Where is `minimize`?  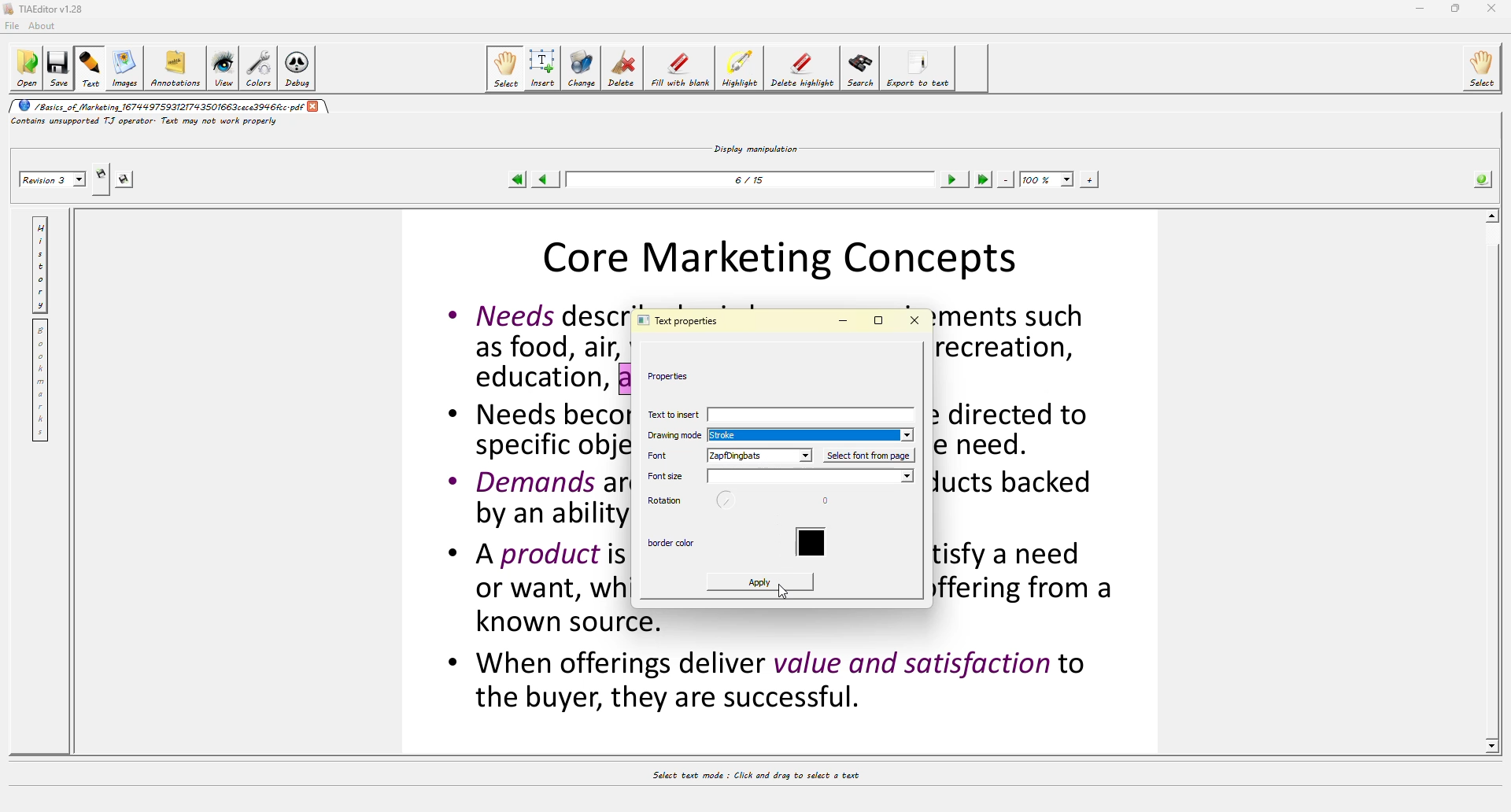
minimize is located at coordinates (1419, 9).